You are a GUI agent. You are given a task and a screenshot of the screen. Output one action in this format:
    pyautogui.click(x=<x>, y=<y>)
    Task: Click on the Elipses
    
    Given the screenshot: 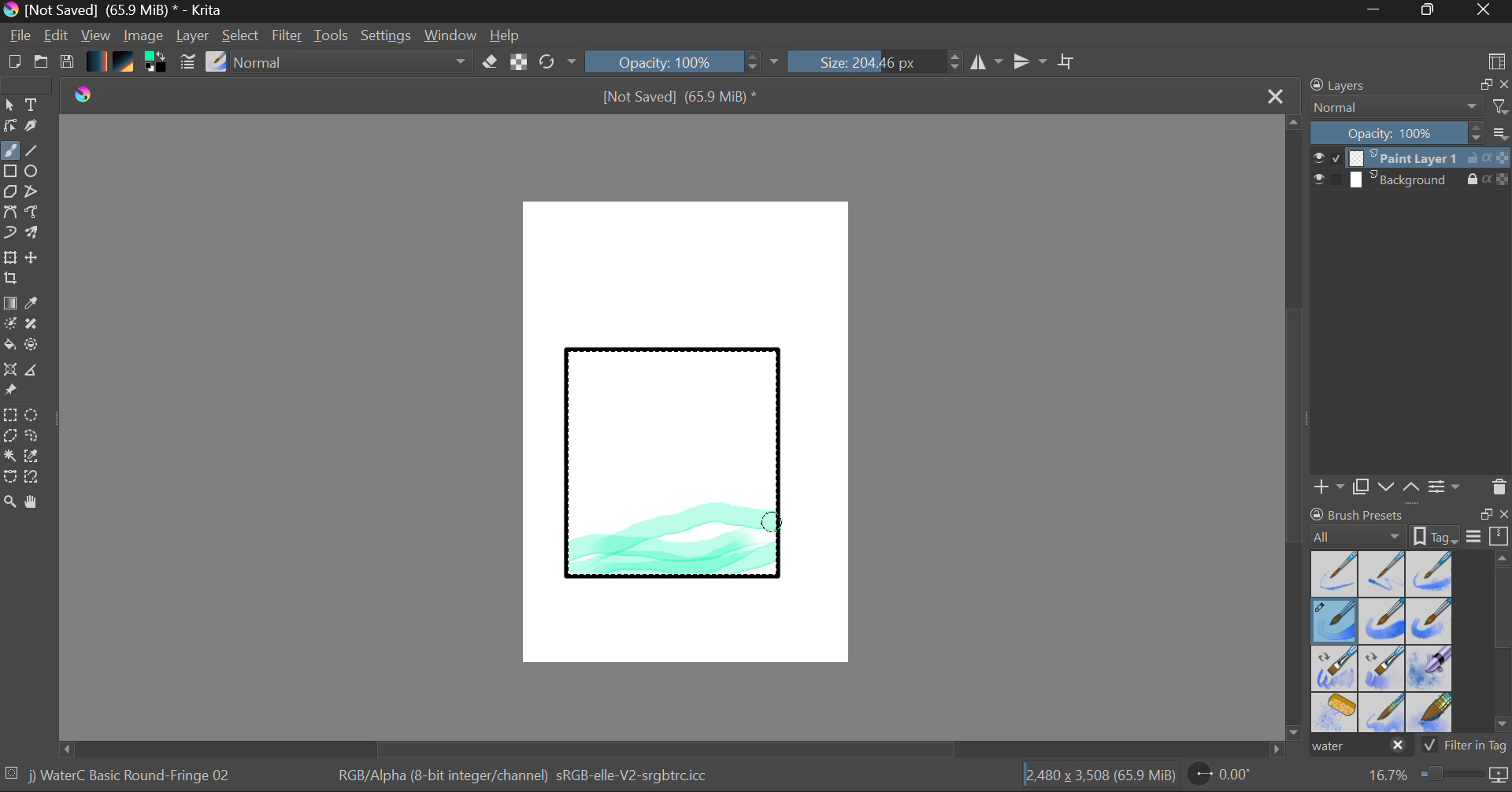 What is the action you would take?
    pyautogui.click(x=34, y=172)
    